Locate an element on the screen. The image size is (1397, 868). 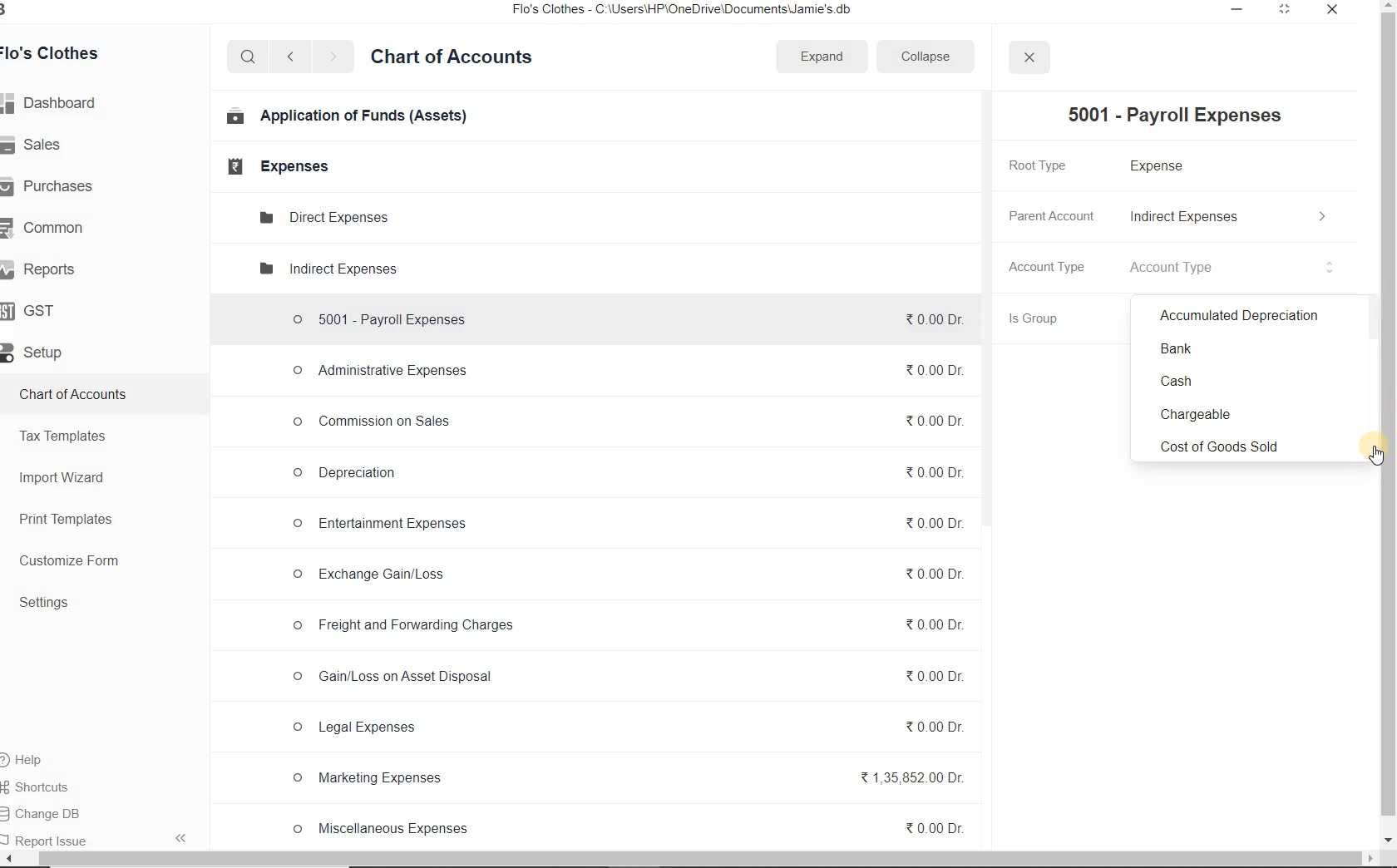
cursor is located at coordinates (1376, 456).